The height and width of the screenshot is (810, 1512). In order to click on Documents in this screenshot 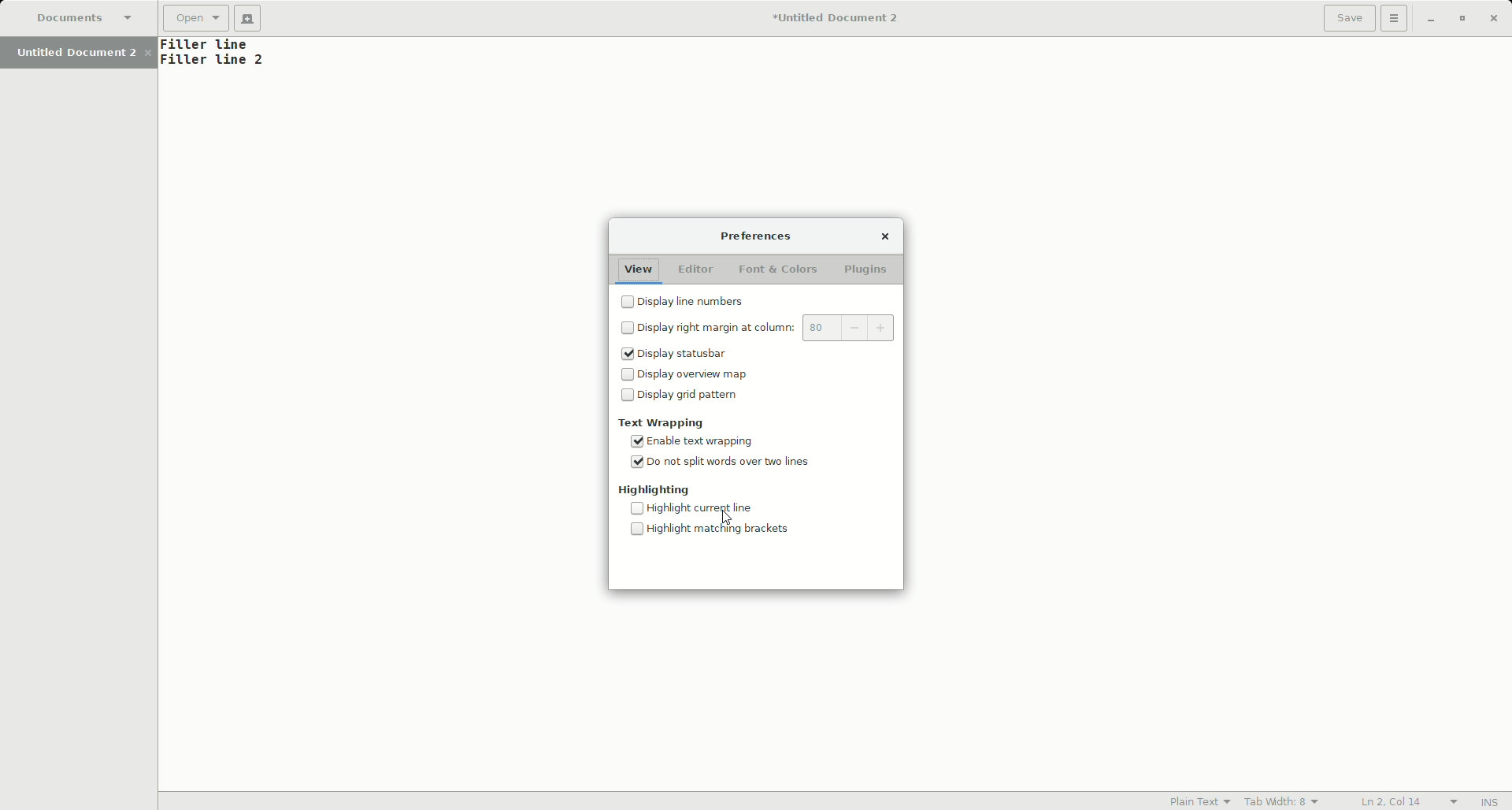, I will do `click(89, 20)`.